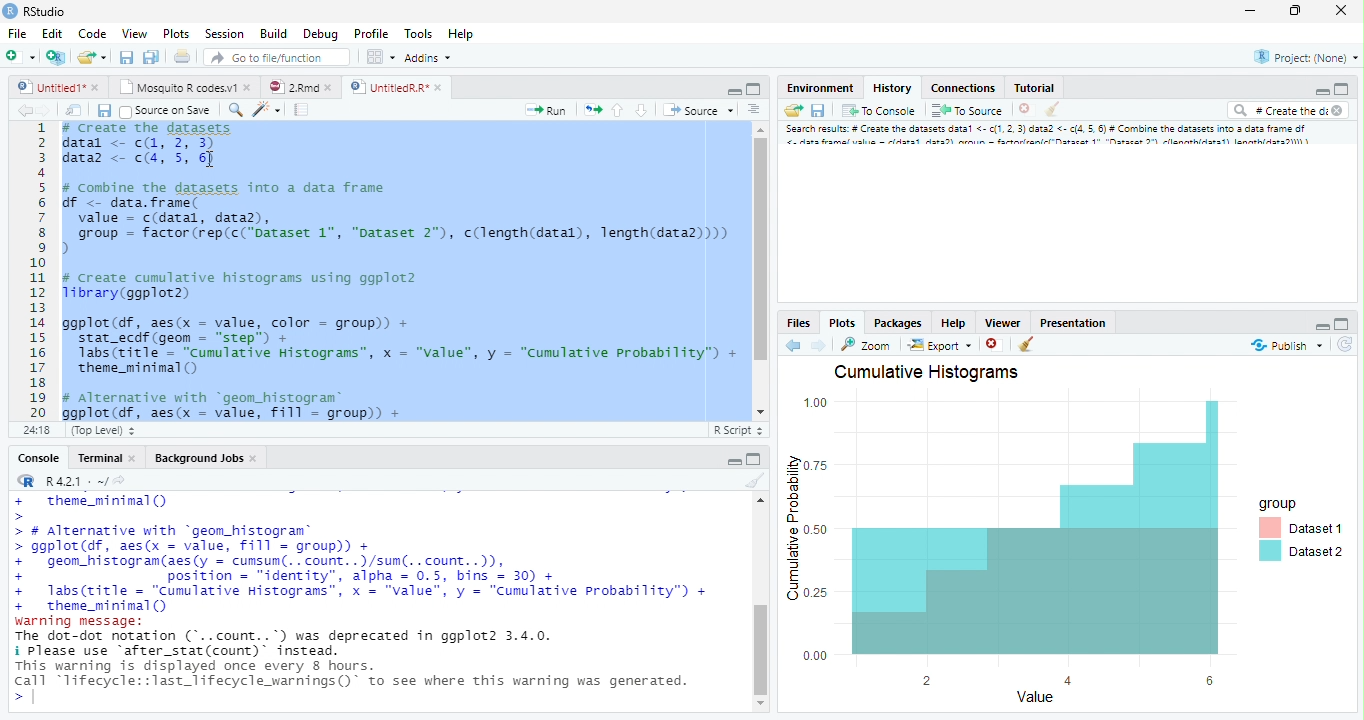  What do you see at coordinates (1052, 137) in the screenshot?
I see `Search result # create dataset data..` at bounding box center [1052, 137].